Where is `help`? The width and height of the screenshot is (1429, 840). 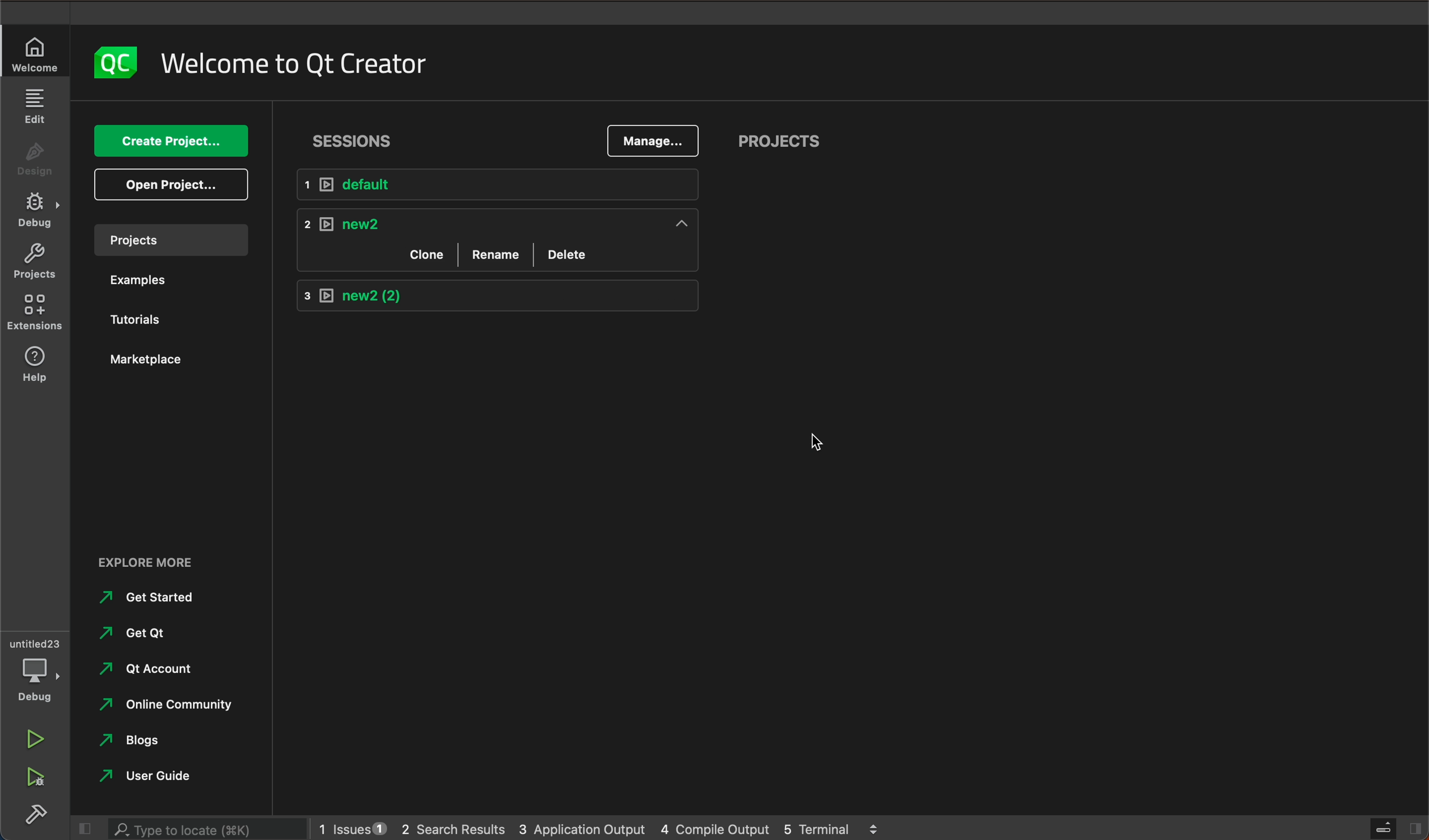
help is located at coordinates (35, 368).